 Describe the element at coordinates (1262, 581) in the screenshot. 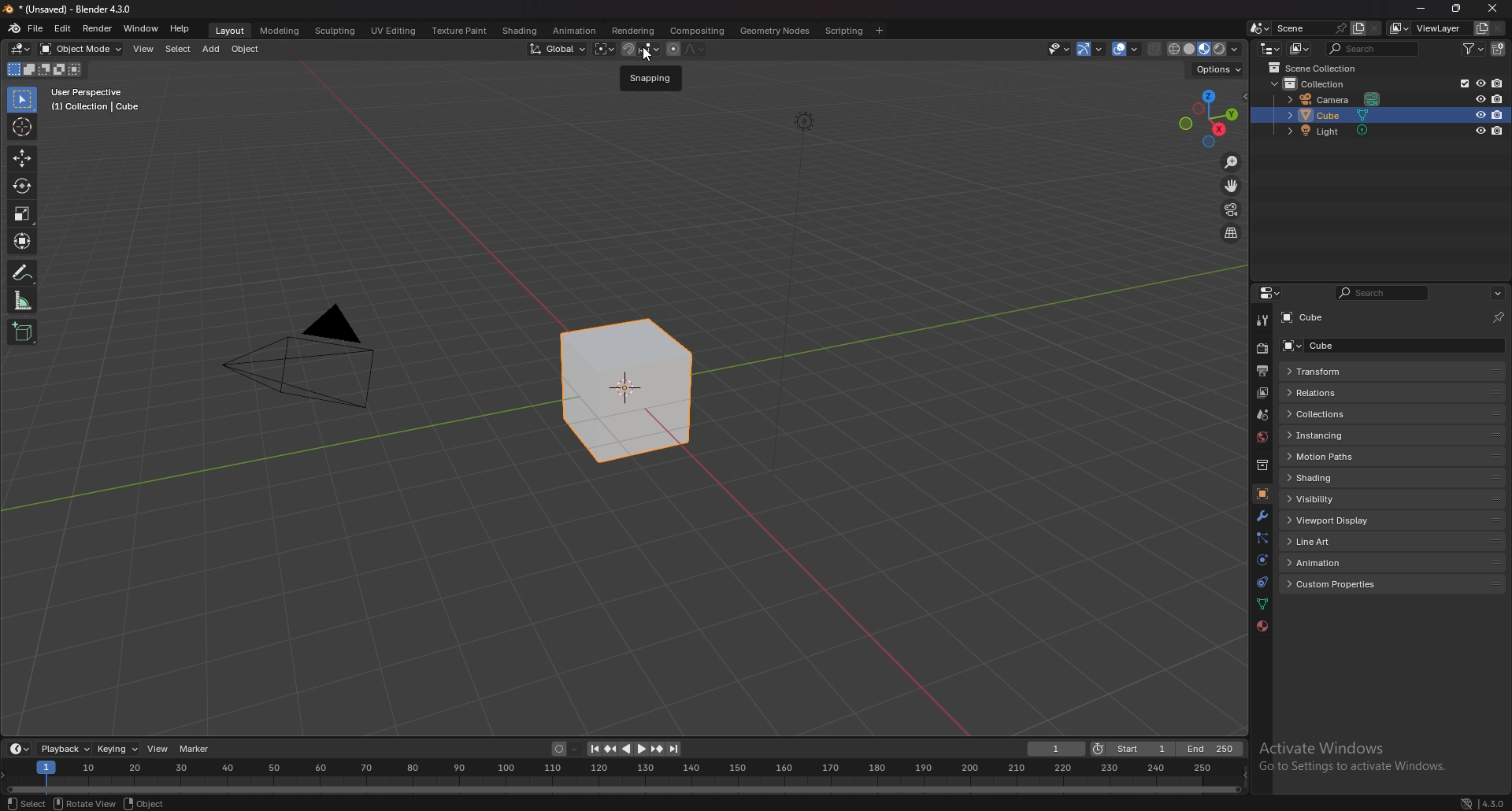

I see `constraints` at that location.